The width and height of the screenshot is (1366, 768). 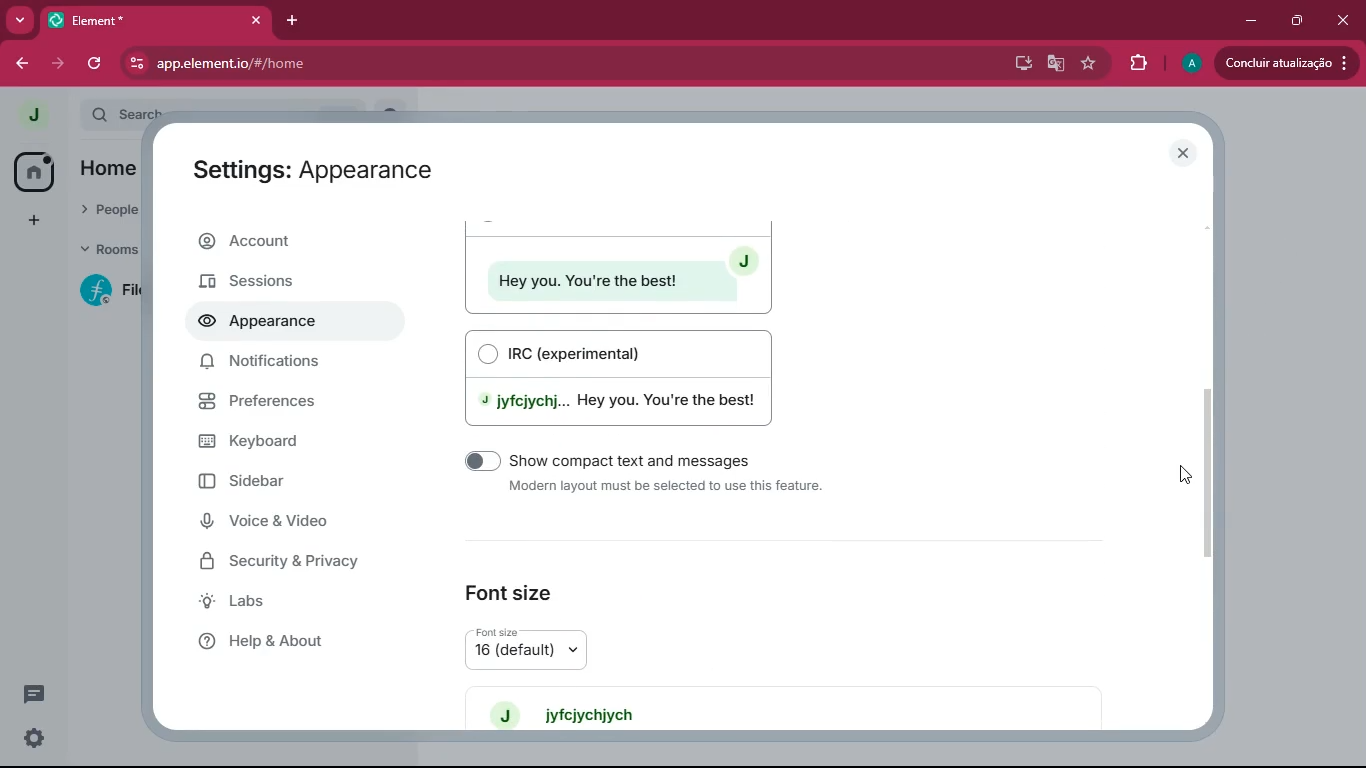 I want to click on home, so click(x=33, y=171).